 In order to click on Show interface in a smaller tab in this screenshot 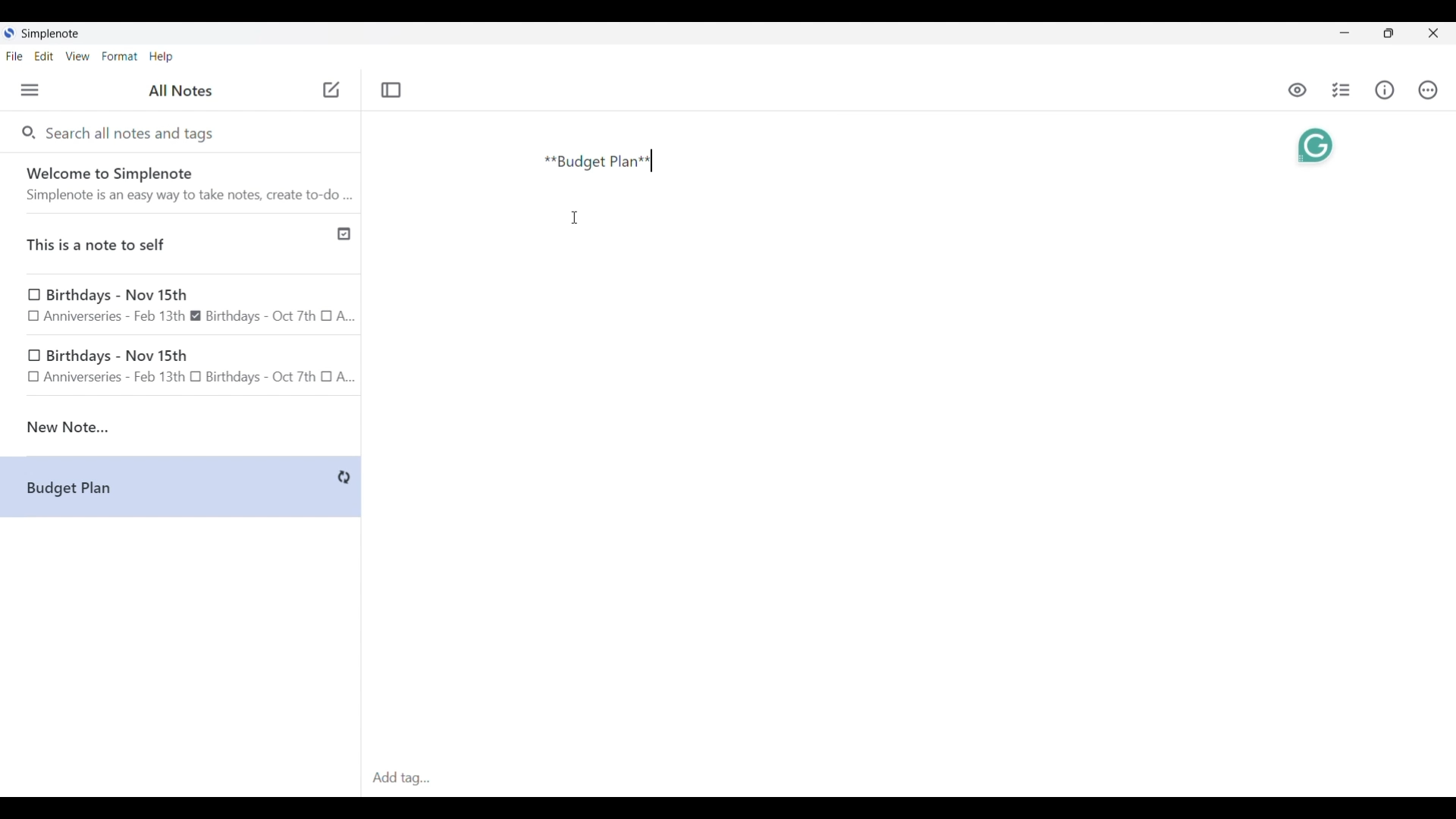, I will do `click(1389, 33)`.